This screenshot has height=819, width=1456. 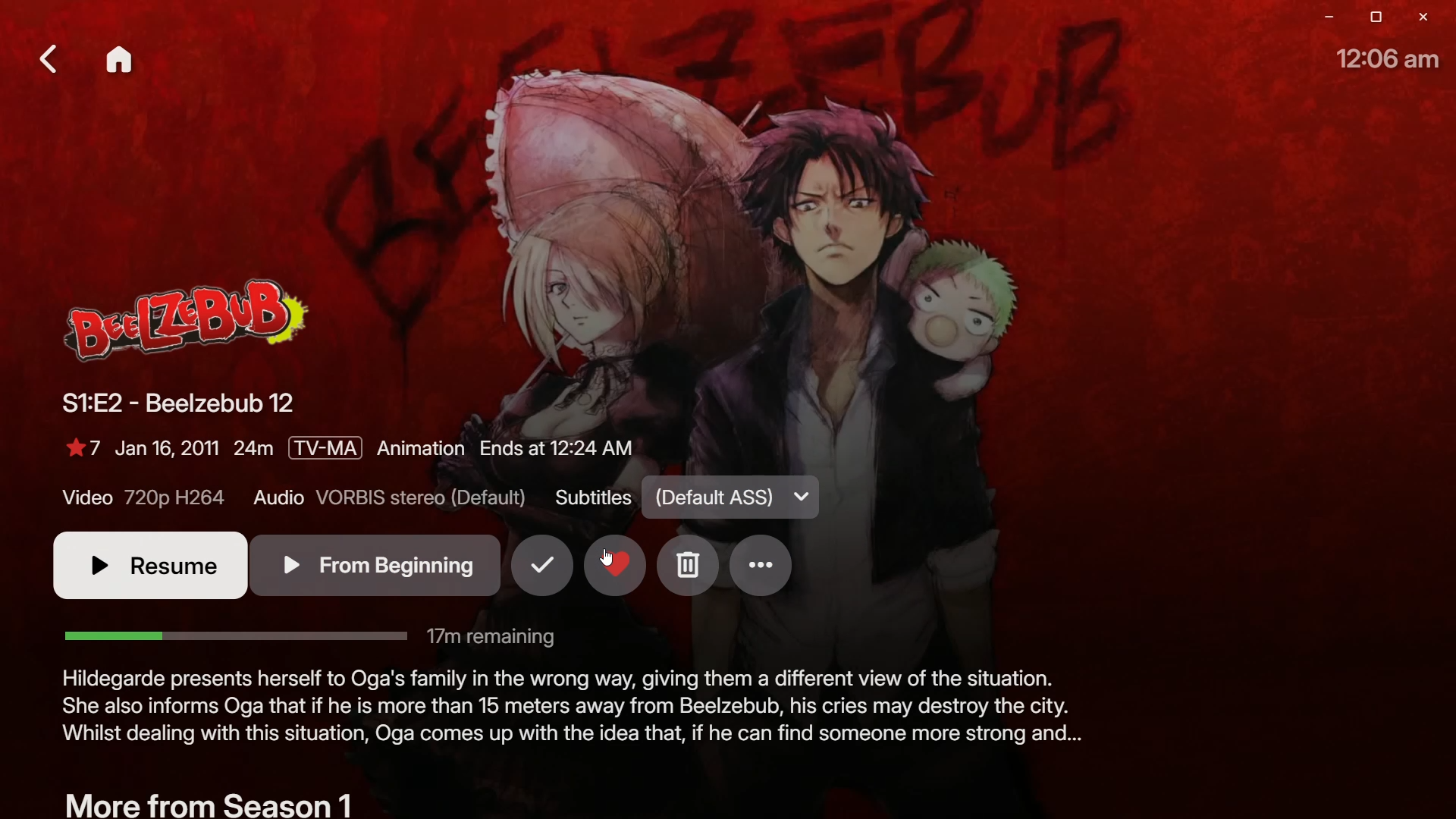 I want to click on Time, so click(x=1393, y=60).